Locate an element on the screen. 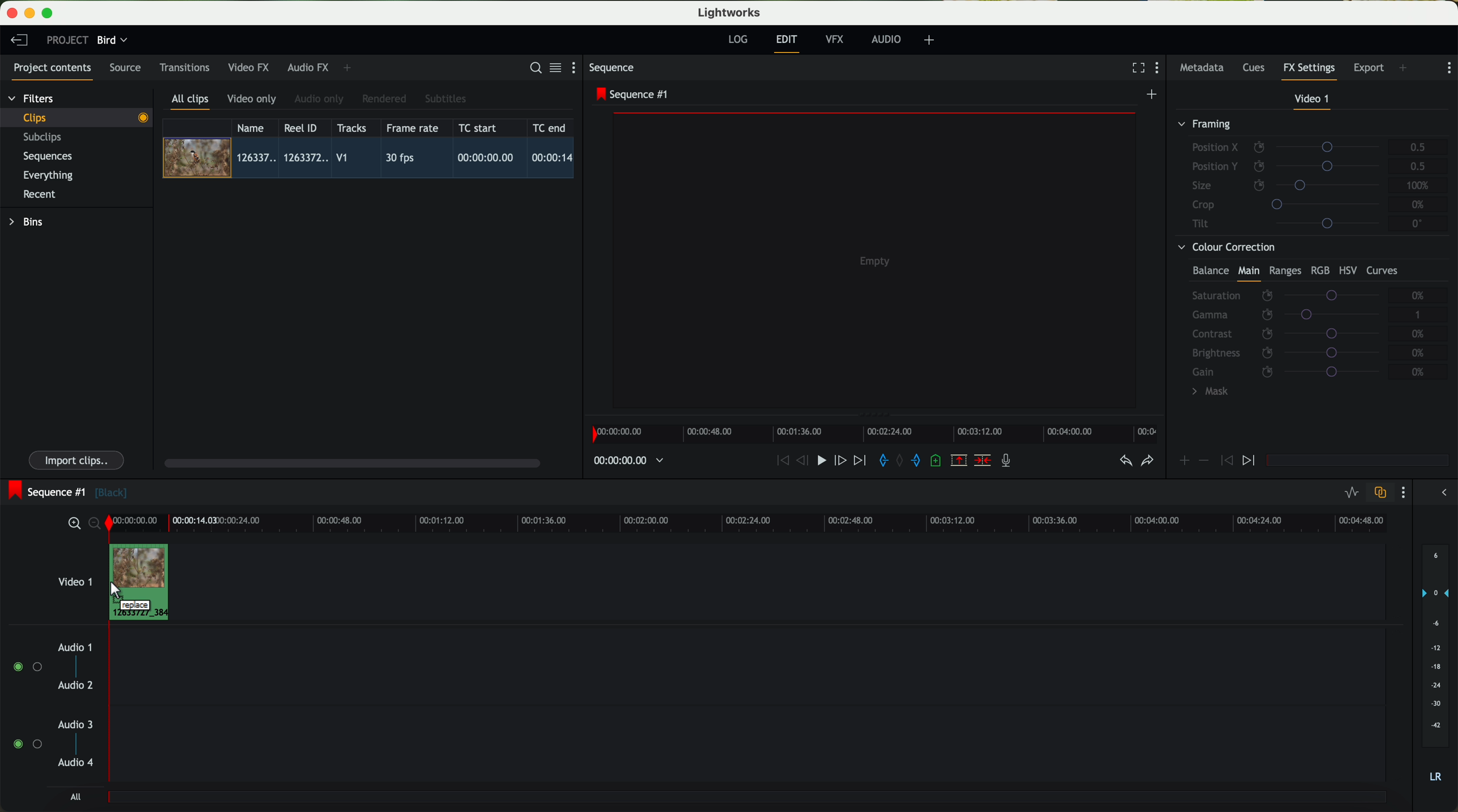 This screenshot has width=1458, height=812. ranges is located at coordinates (1285, 270).